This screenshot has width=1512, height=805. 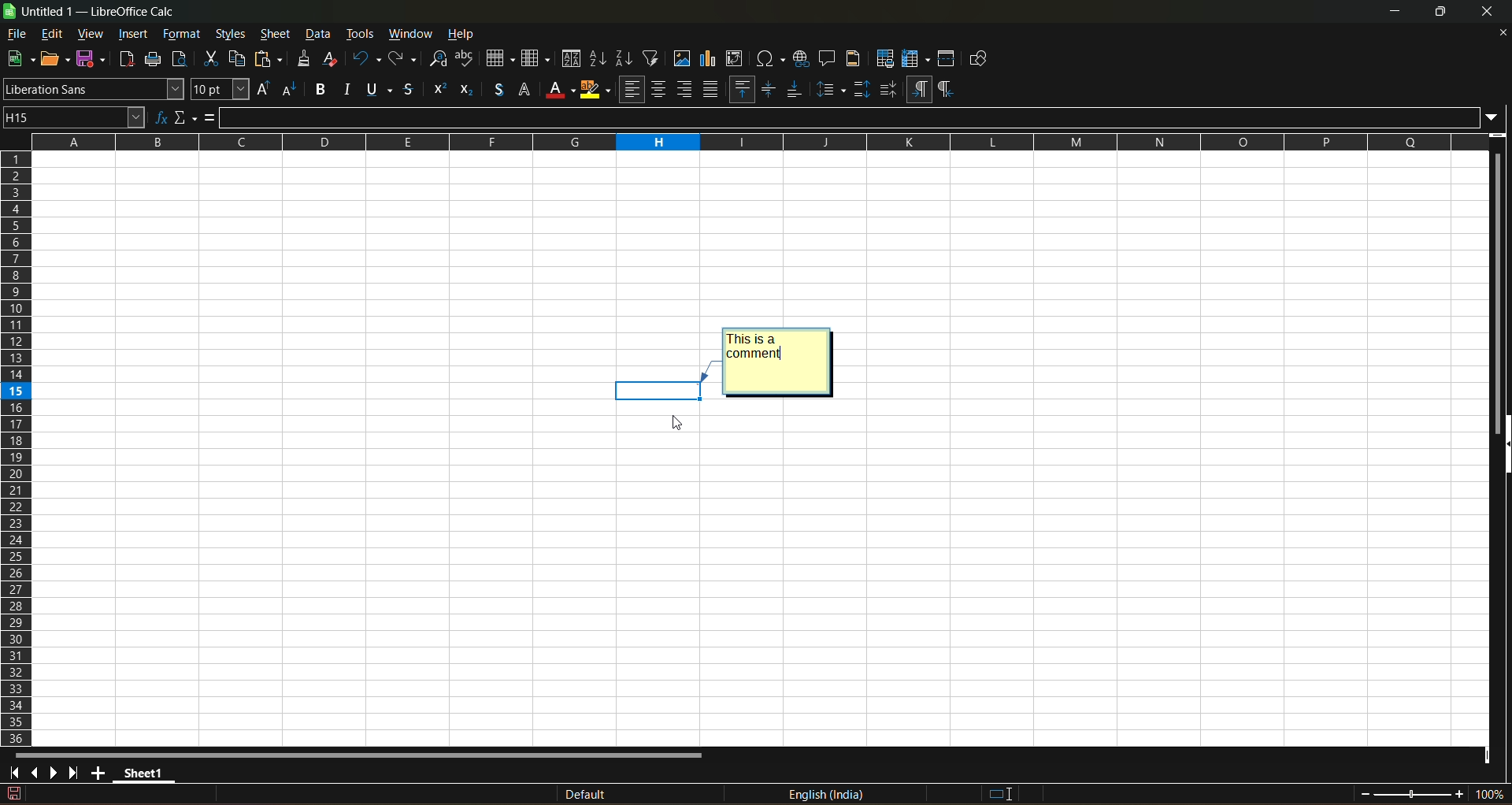 What do you see at coordinates (132, 35) in the screenshot?
I see `insert` at bounding box center [132, 35].